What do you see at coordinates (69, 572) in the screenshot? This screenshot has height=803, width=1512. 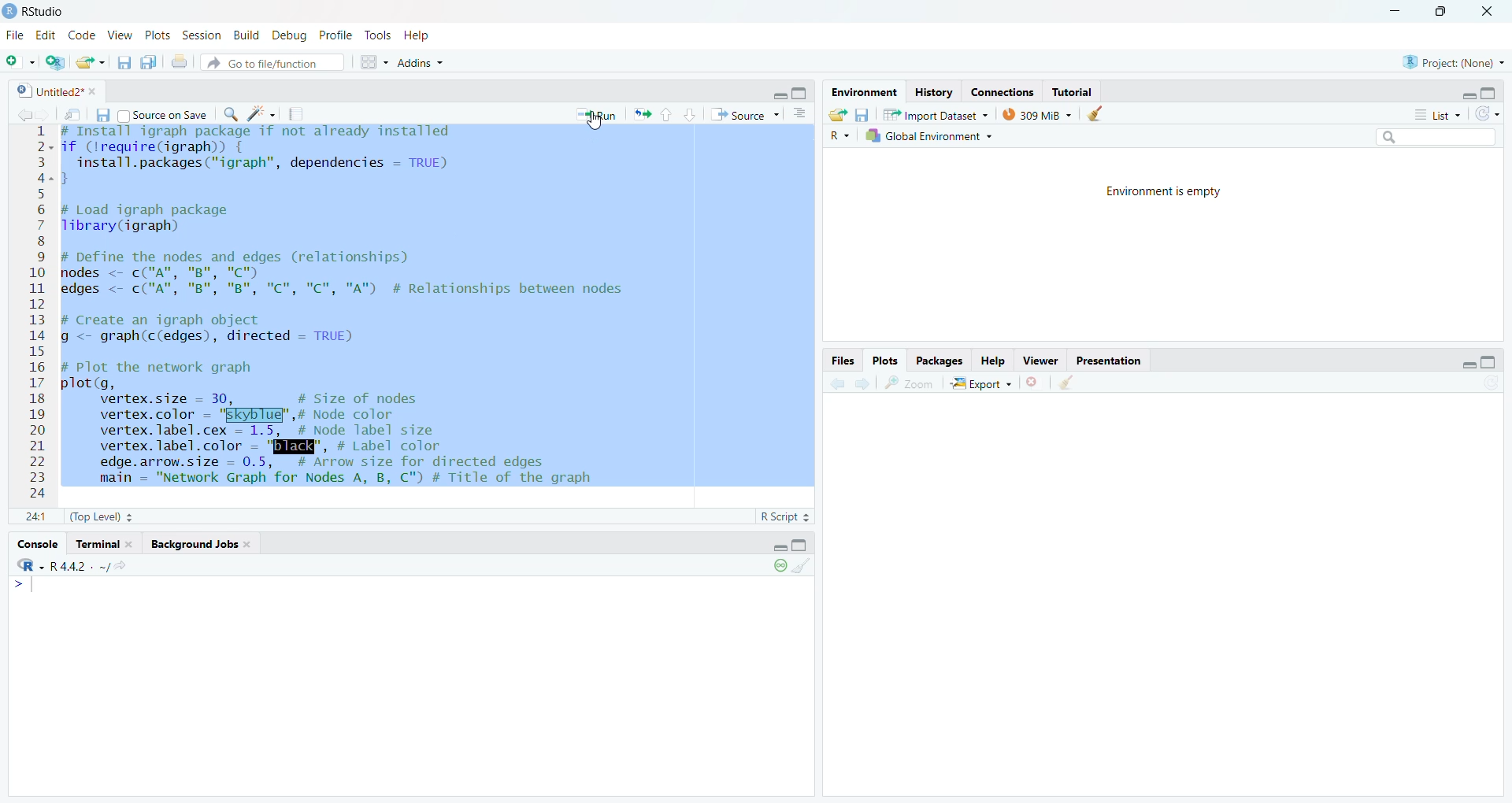 I see `R442` at bounding box center [69, 572].